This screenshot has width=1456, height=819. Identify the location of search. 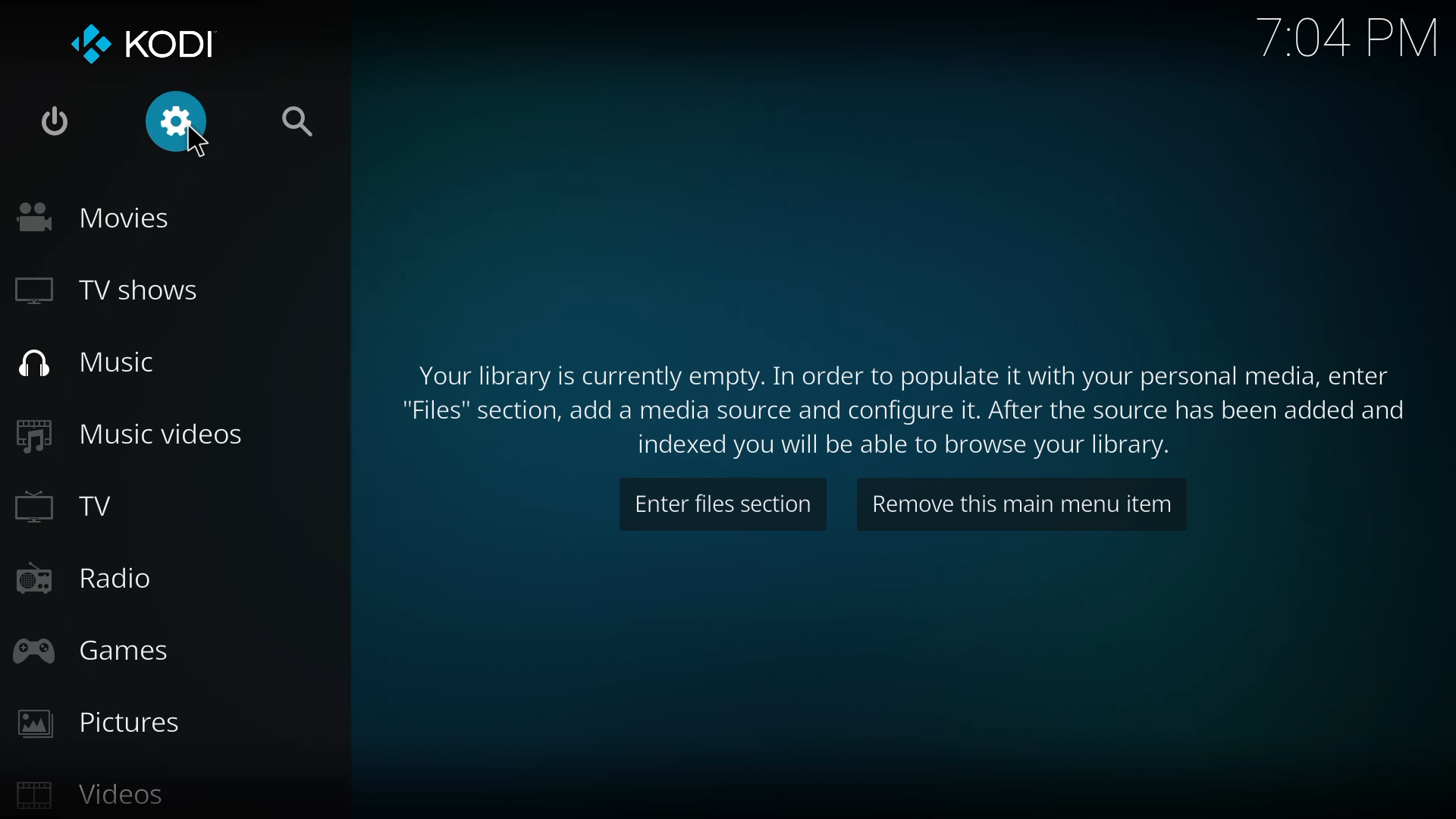
(296, 126).